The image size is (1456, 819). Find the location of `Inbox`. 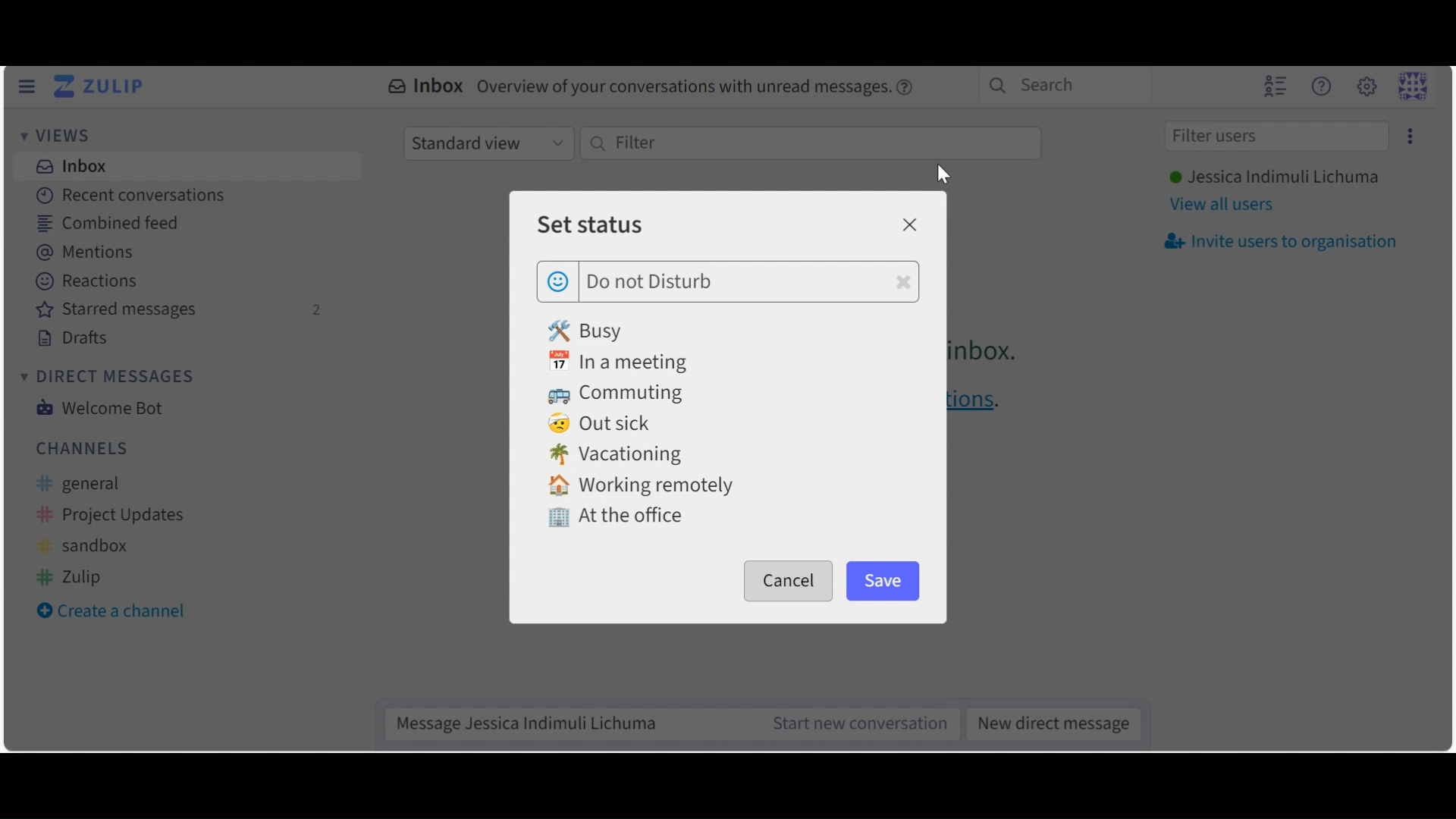

Inbox is located at coordinates (653, 88).